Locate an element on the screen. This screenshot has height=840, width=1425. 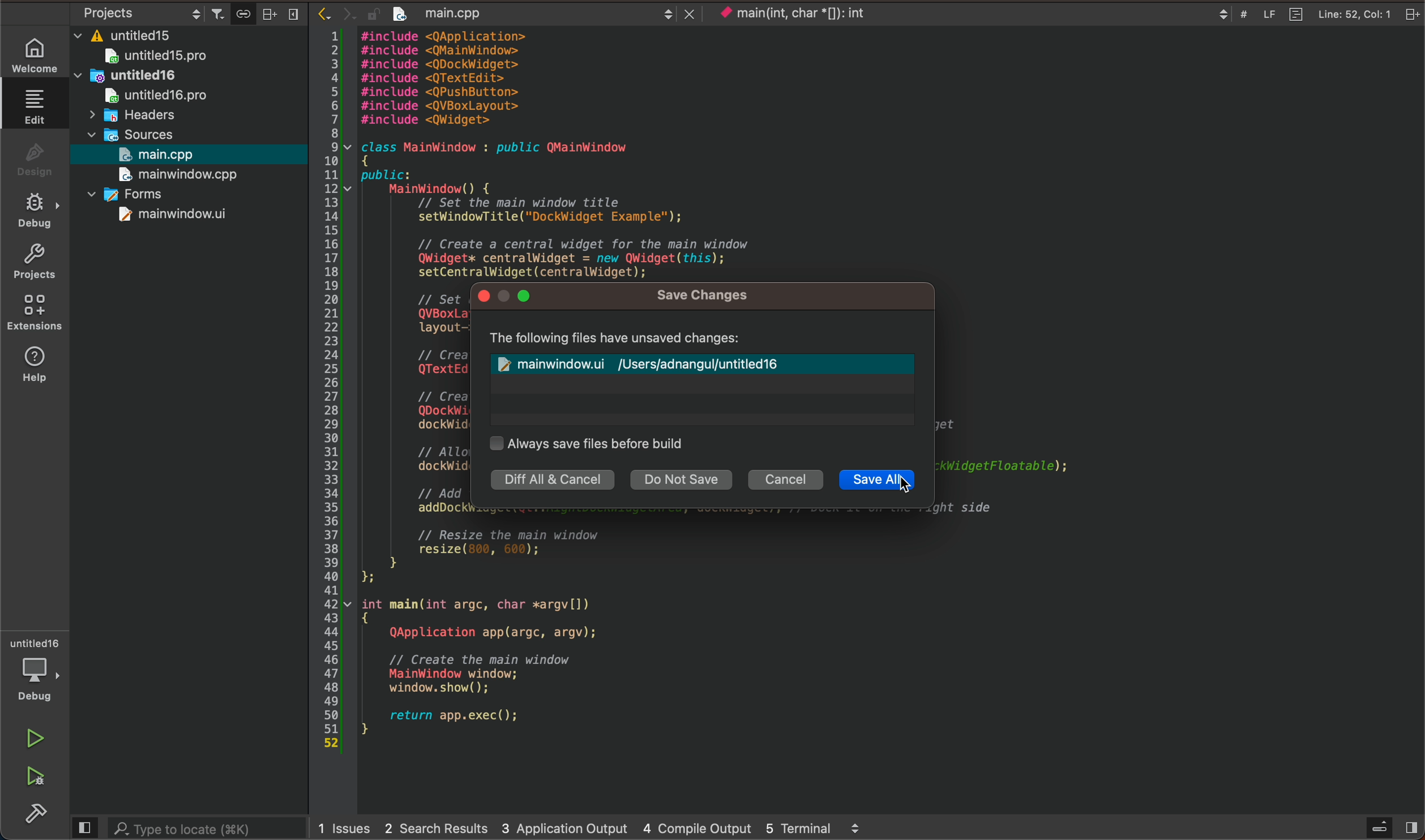
logs is located at coordinates (596, 829).